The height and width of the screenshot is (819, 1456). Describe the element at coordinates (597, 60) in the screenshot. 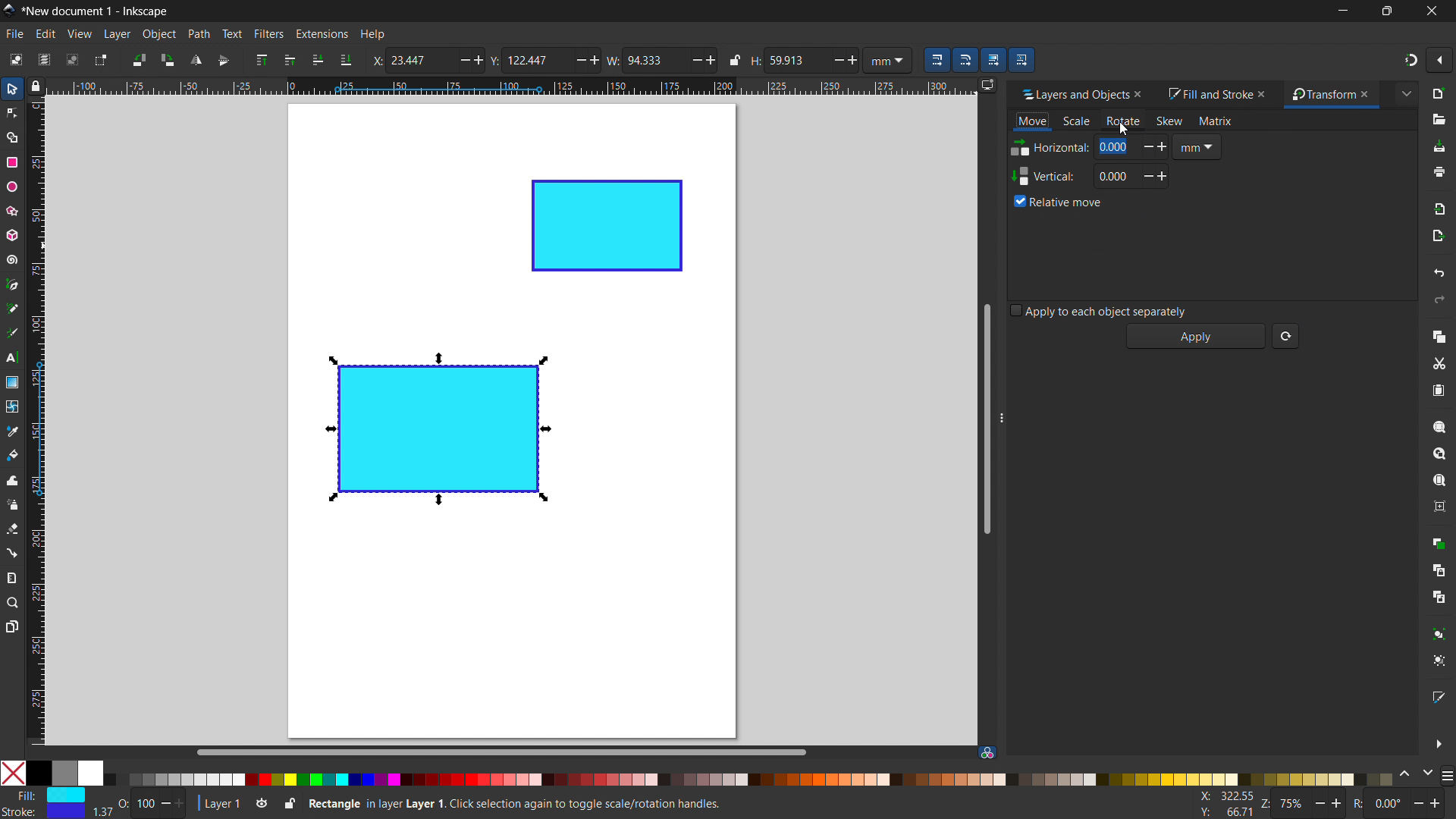

I see `Add/ increase` at that location.